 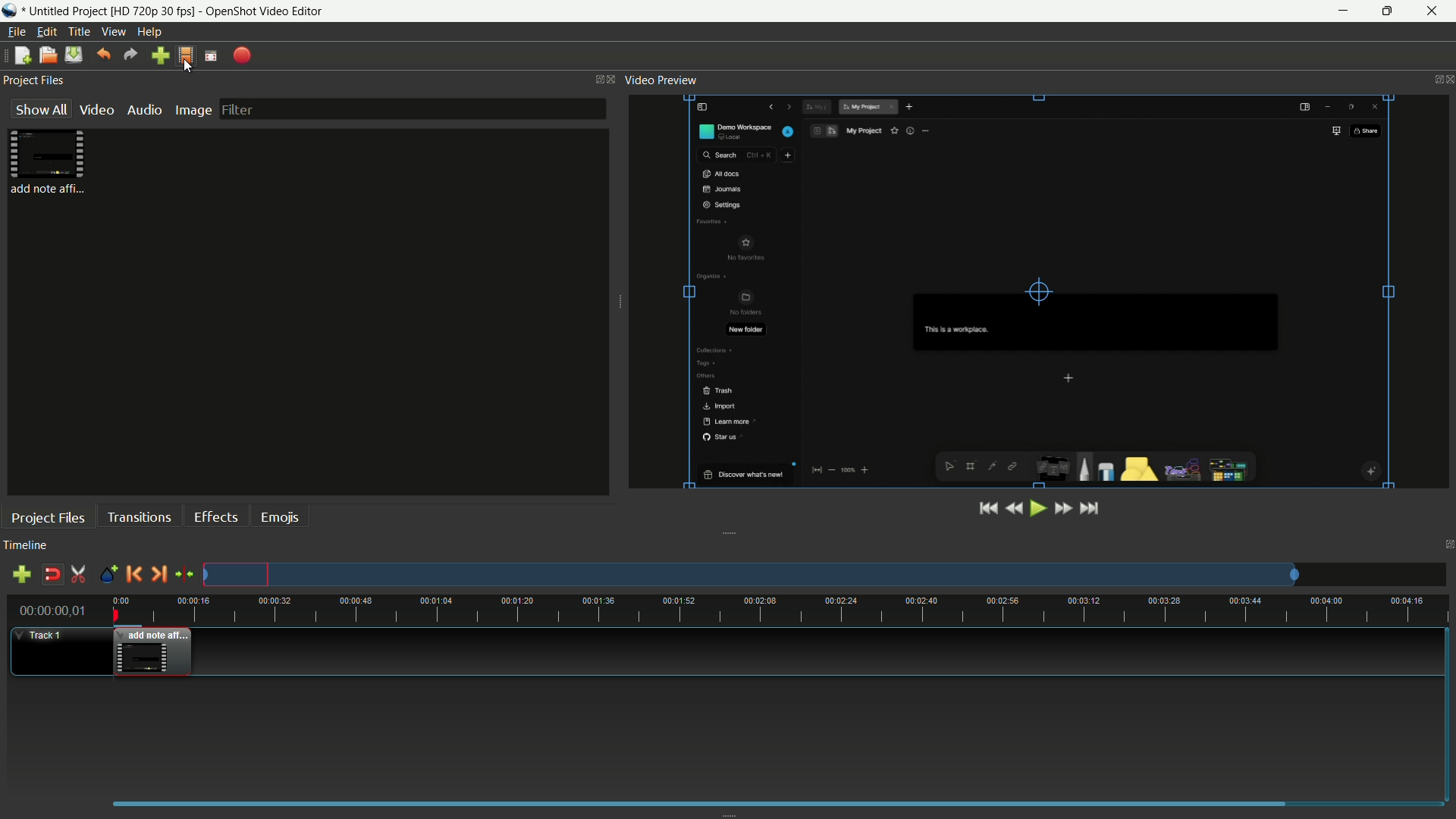 What do you see at coordinates (10, 11) in the screenshot?
I see `app name` at bounding box center [10, 11].